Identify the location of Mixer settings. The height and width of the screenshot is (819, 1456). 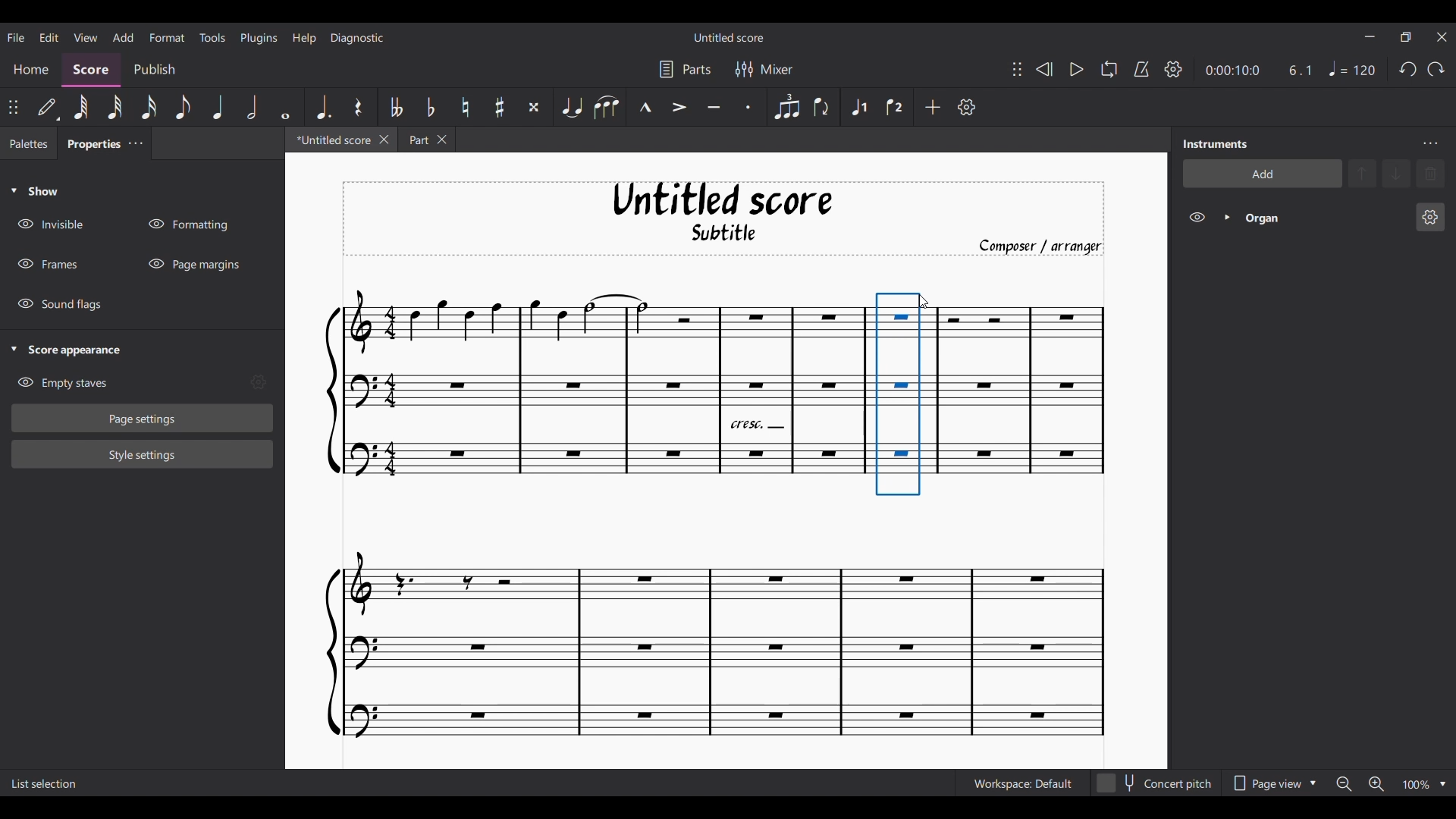
(763, 69).